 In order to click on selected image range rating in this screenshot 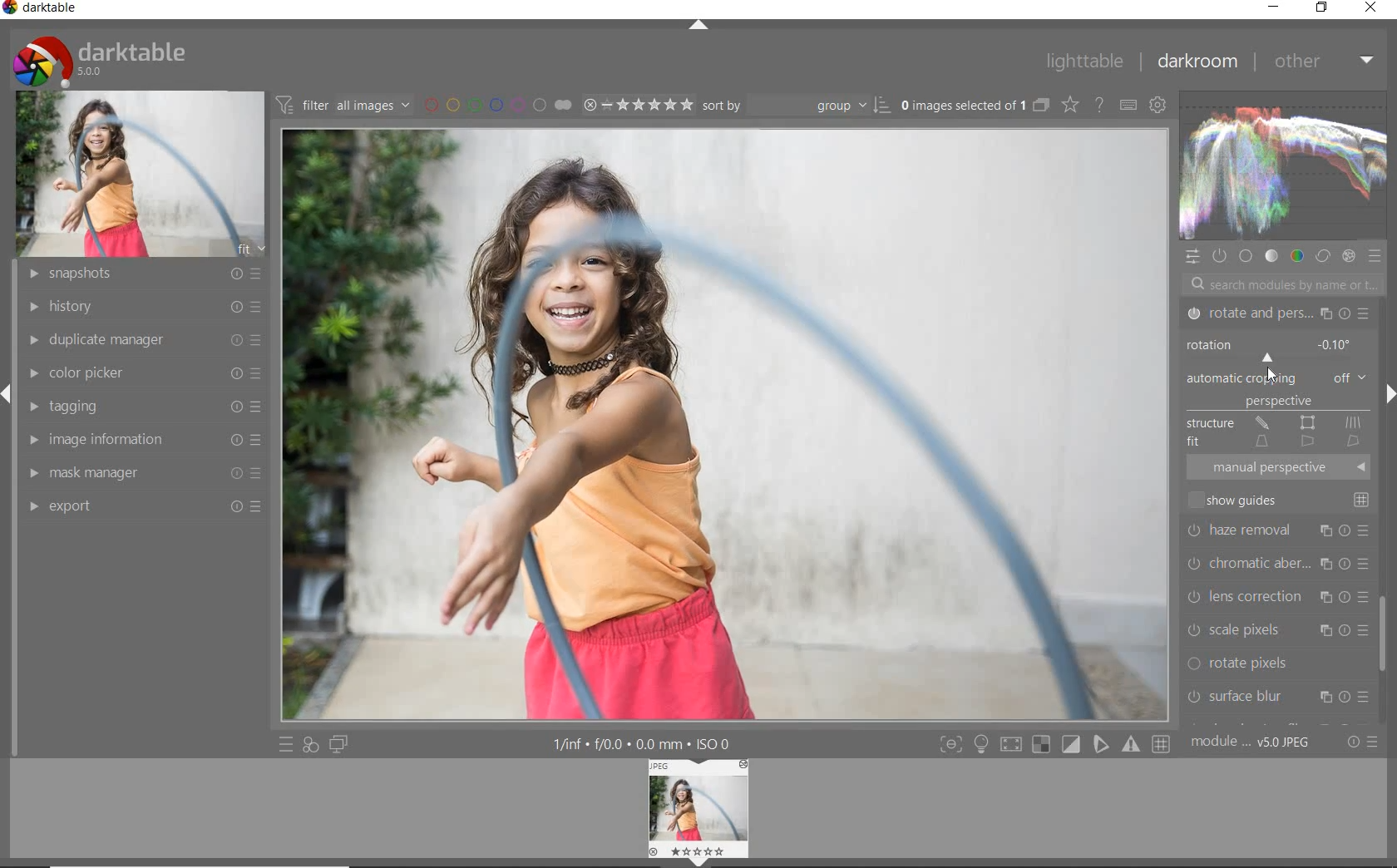, I will do `click(635, 105)`.